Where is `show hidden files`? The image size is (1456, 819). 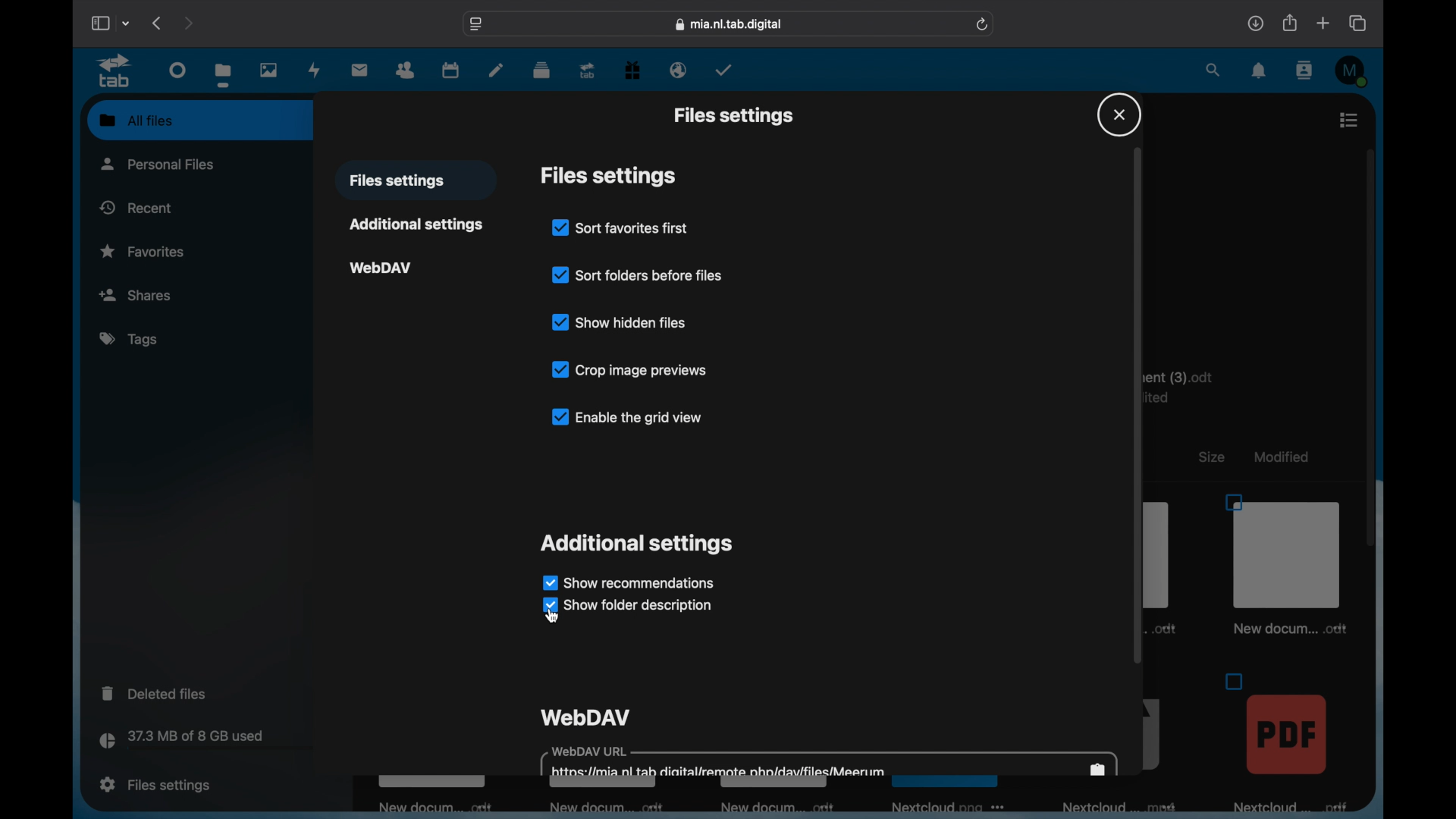
show hidden files is located at coordinates (619, 322).